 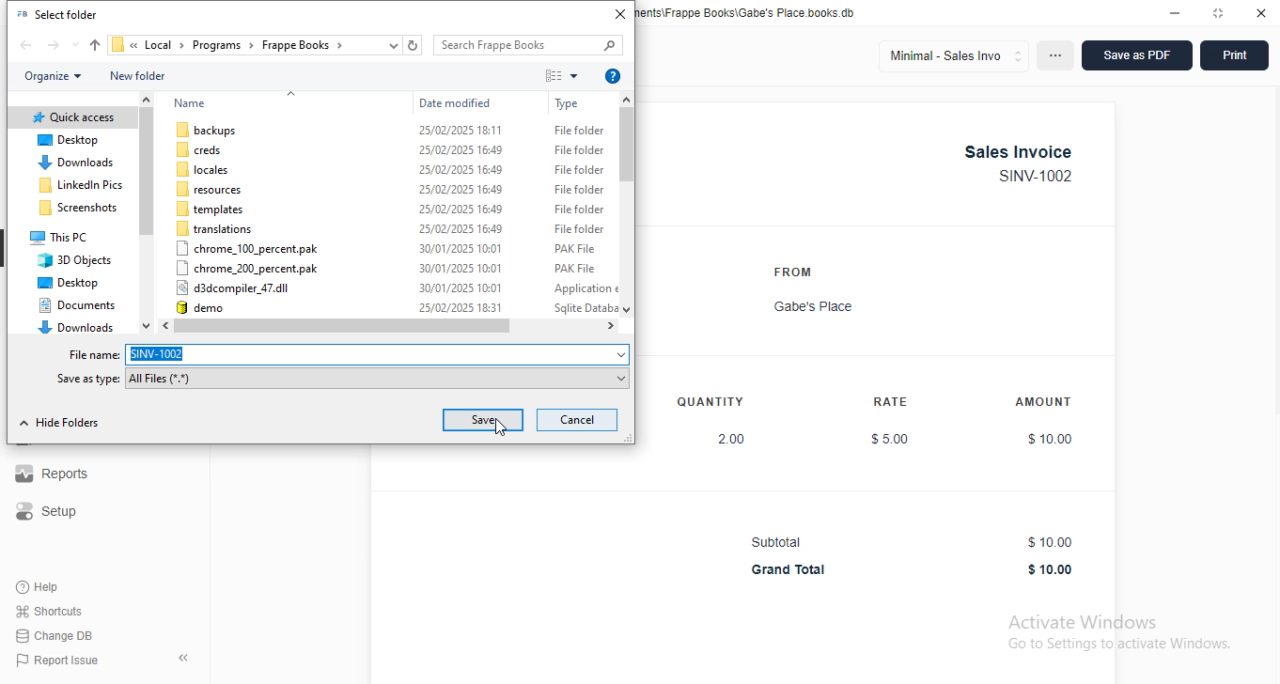 What do you see at coordinates (628, 167) in the screenshot?
I see `scroll bar` at bounding box center [628, 167].